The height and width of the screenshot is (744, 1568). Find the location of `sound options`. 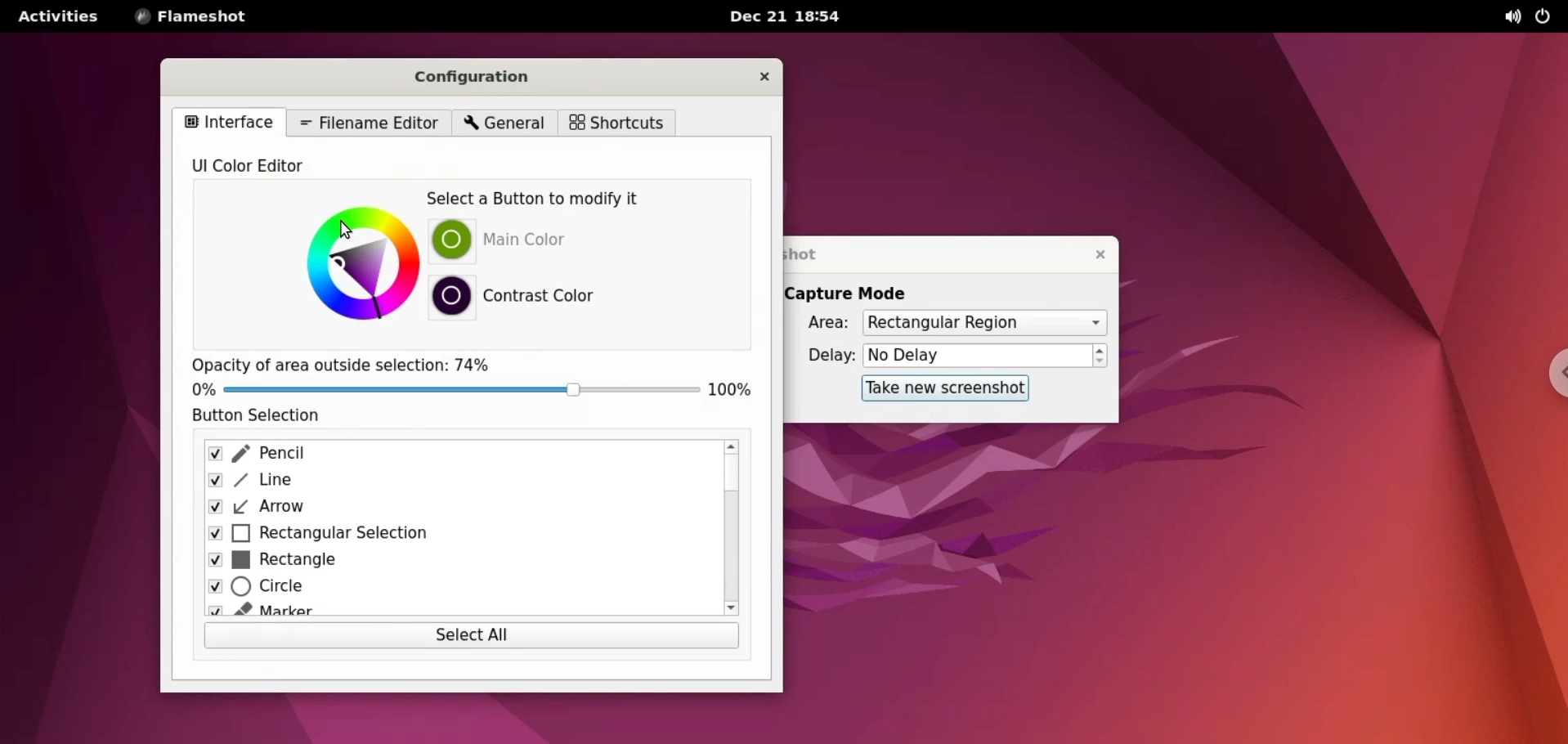

sound options is located at coordinates (1515, 17).